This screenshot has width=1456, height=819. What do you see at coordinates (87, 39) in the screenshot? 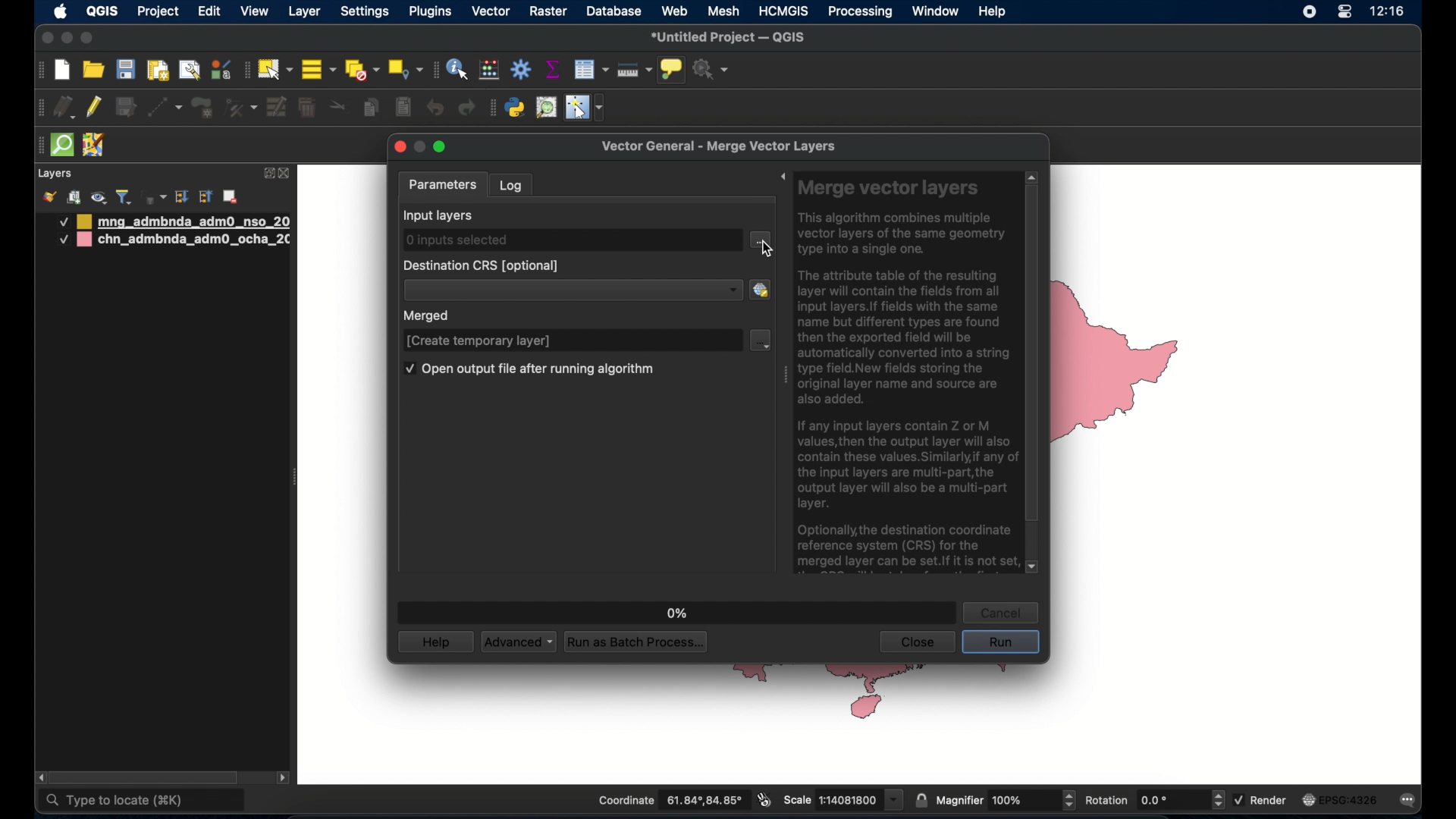
I see `maximize` at bounding box center [87, 39].